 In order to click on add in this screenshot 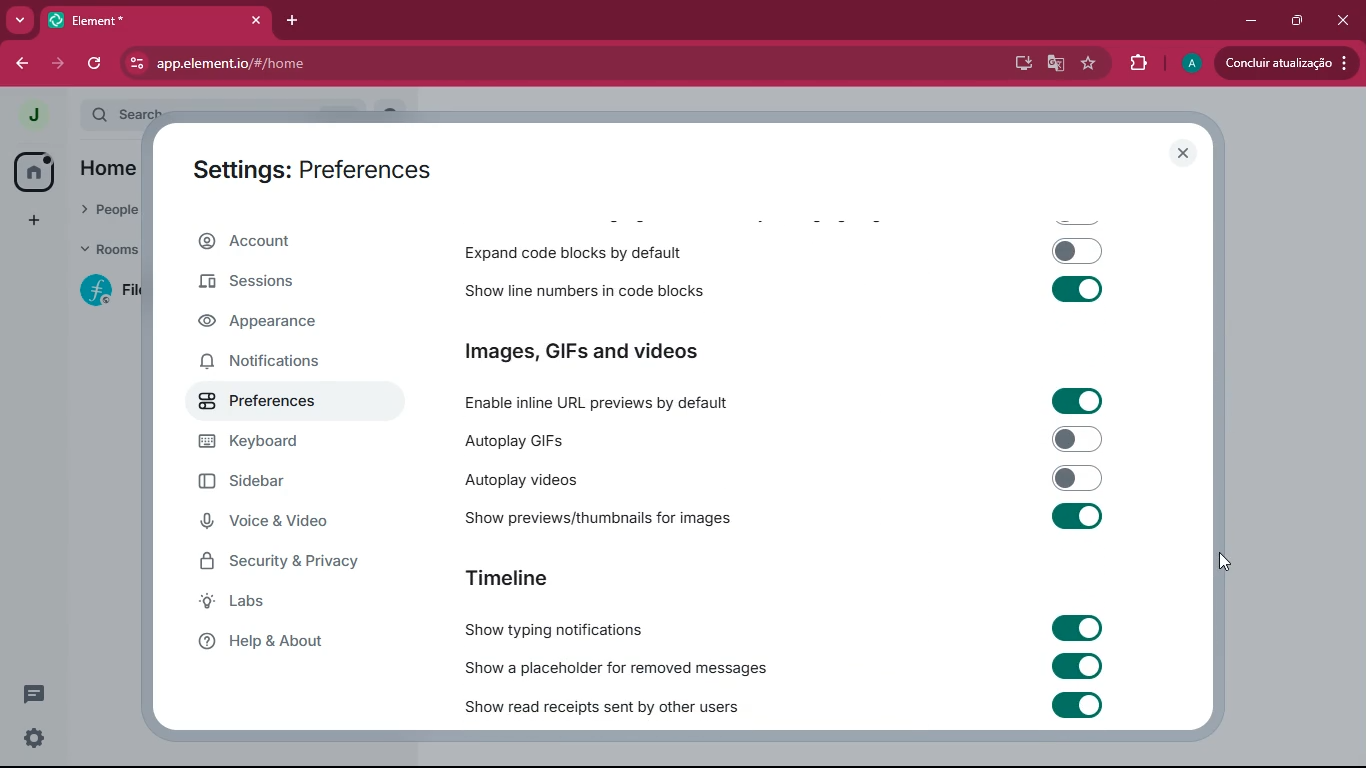, I will do `click(31, 222)`.